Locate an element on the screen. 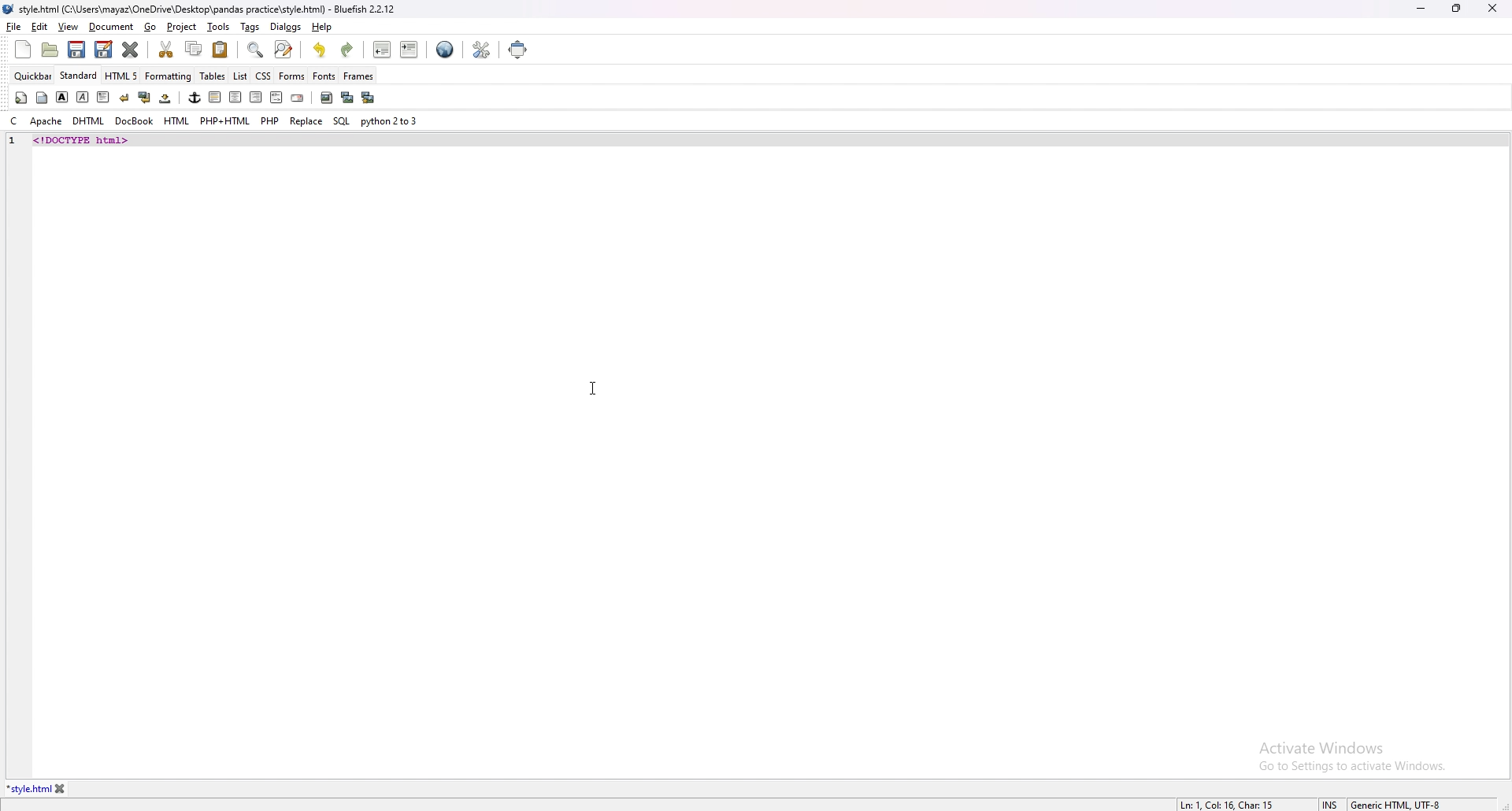 This screenshot has height=811, width=1512. center is located at coordinates (235, 98).